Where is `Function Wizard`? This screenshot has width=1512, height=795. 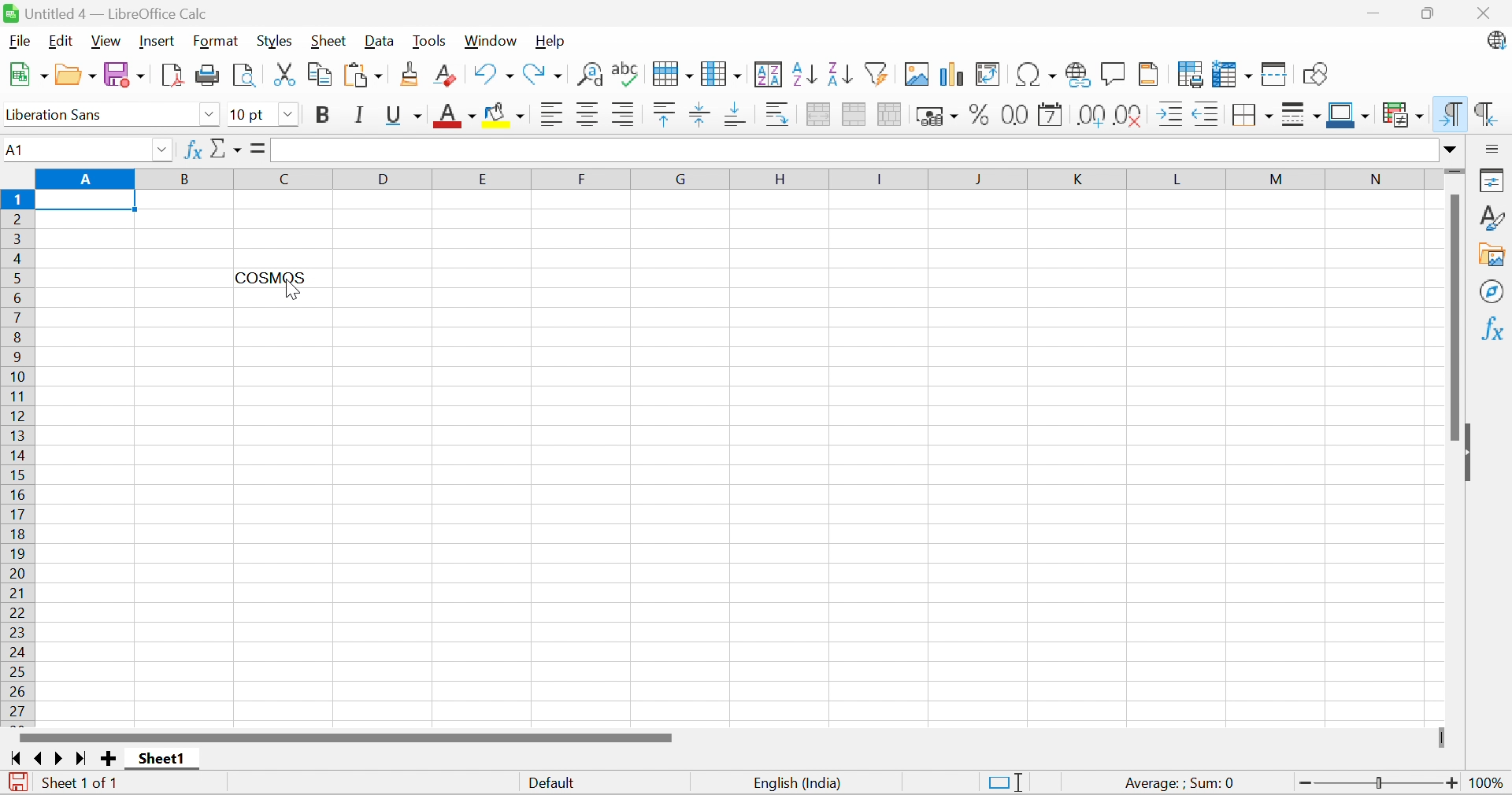
Function Wizard is located at coordinates (193, 153).